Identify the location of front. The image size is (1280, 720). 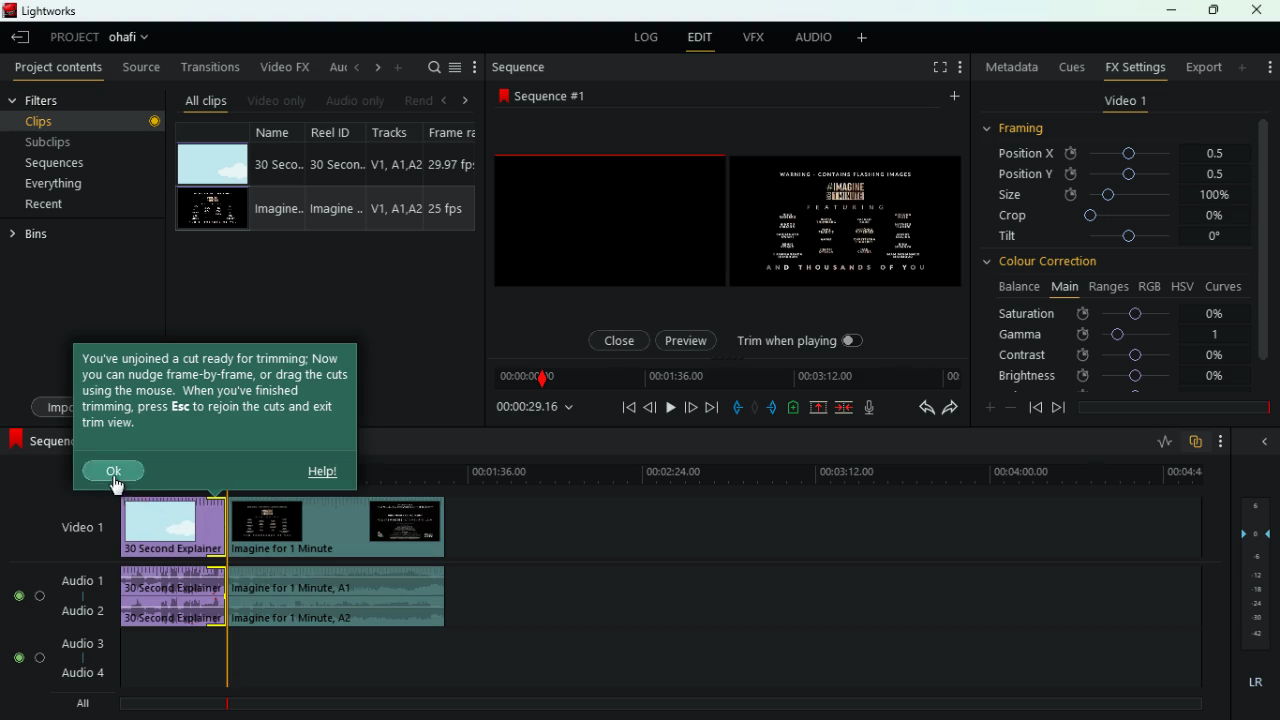
(1059, 407).